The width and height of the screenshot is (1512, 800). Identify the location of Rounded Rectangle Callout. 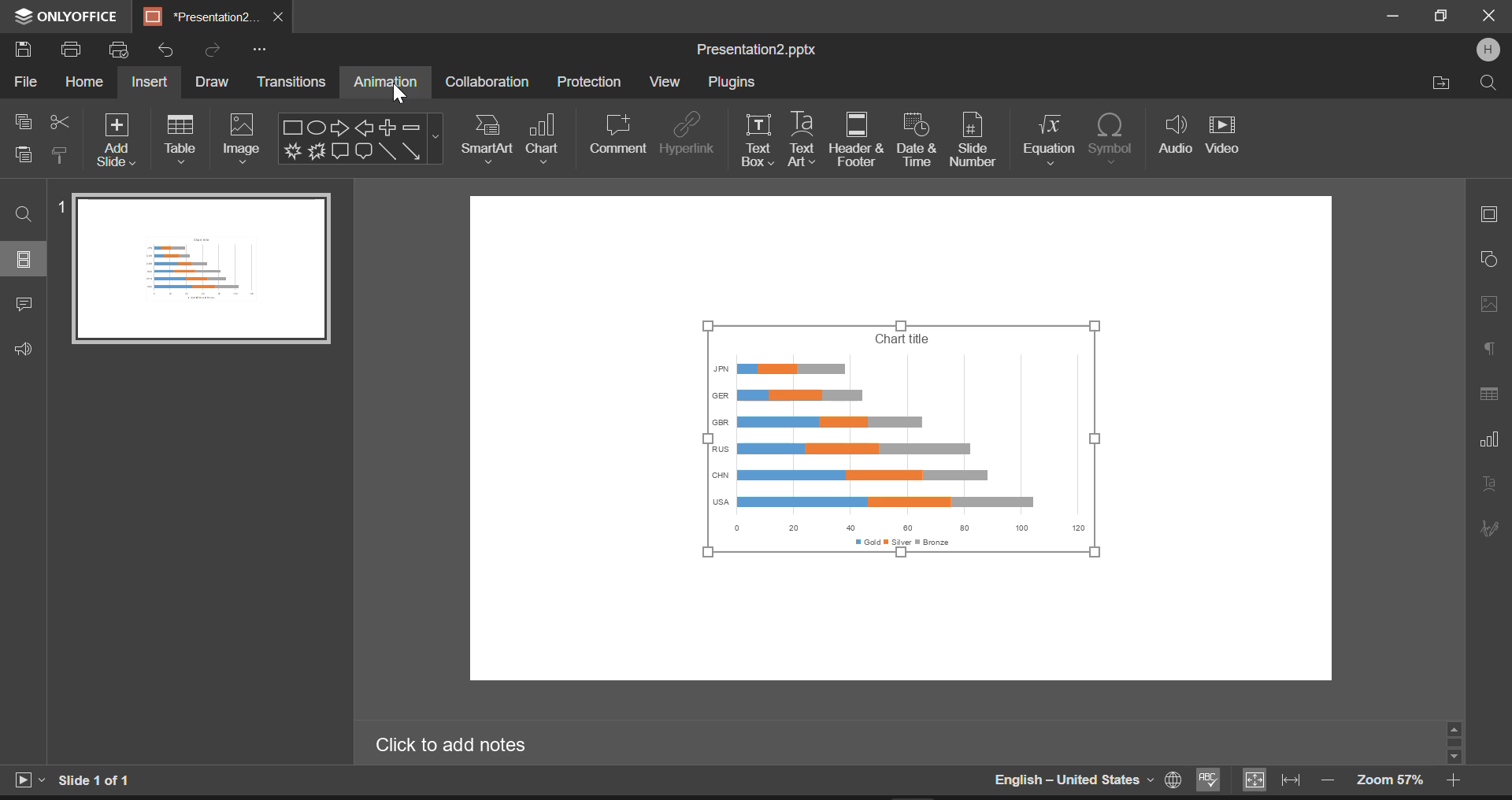
(365, 151).